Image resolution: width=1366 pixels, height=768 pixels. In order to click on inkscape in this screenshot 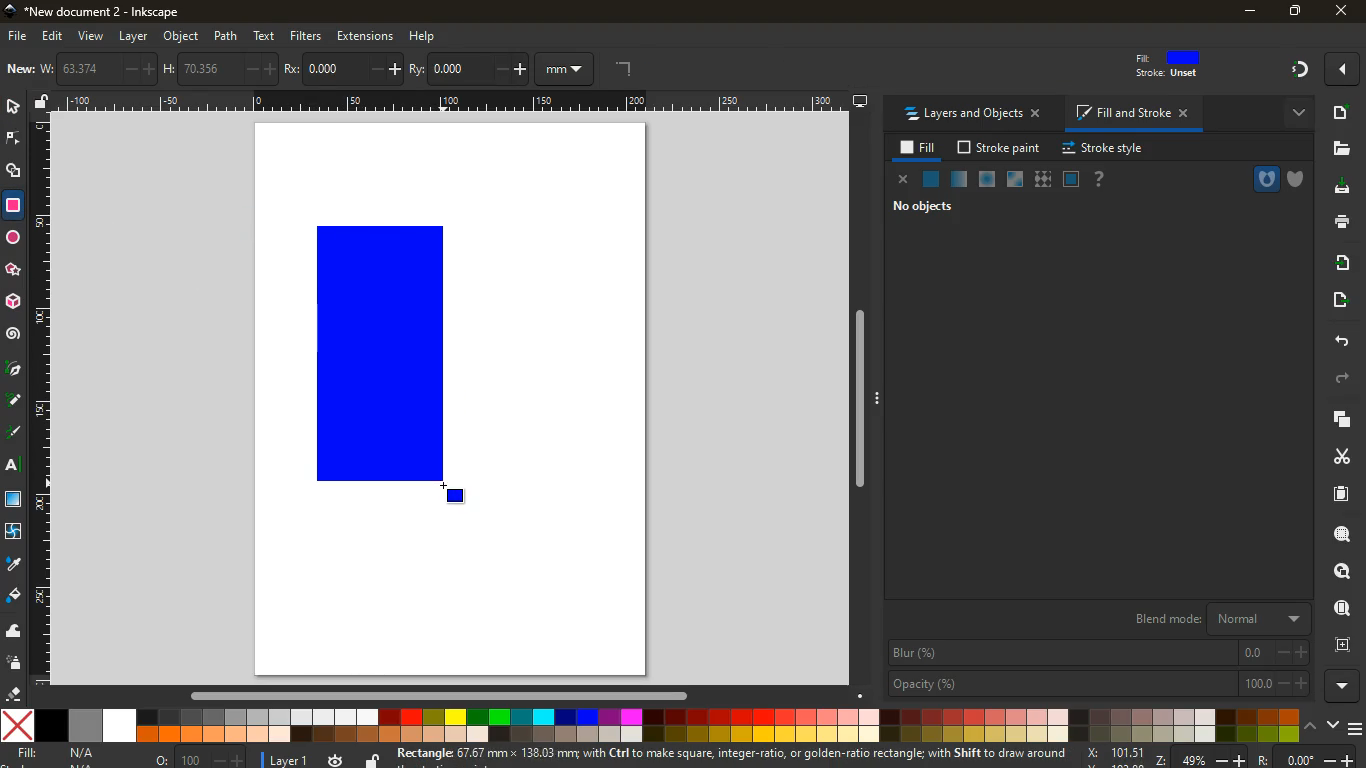, I will do `click(96, 10)`.